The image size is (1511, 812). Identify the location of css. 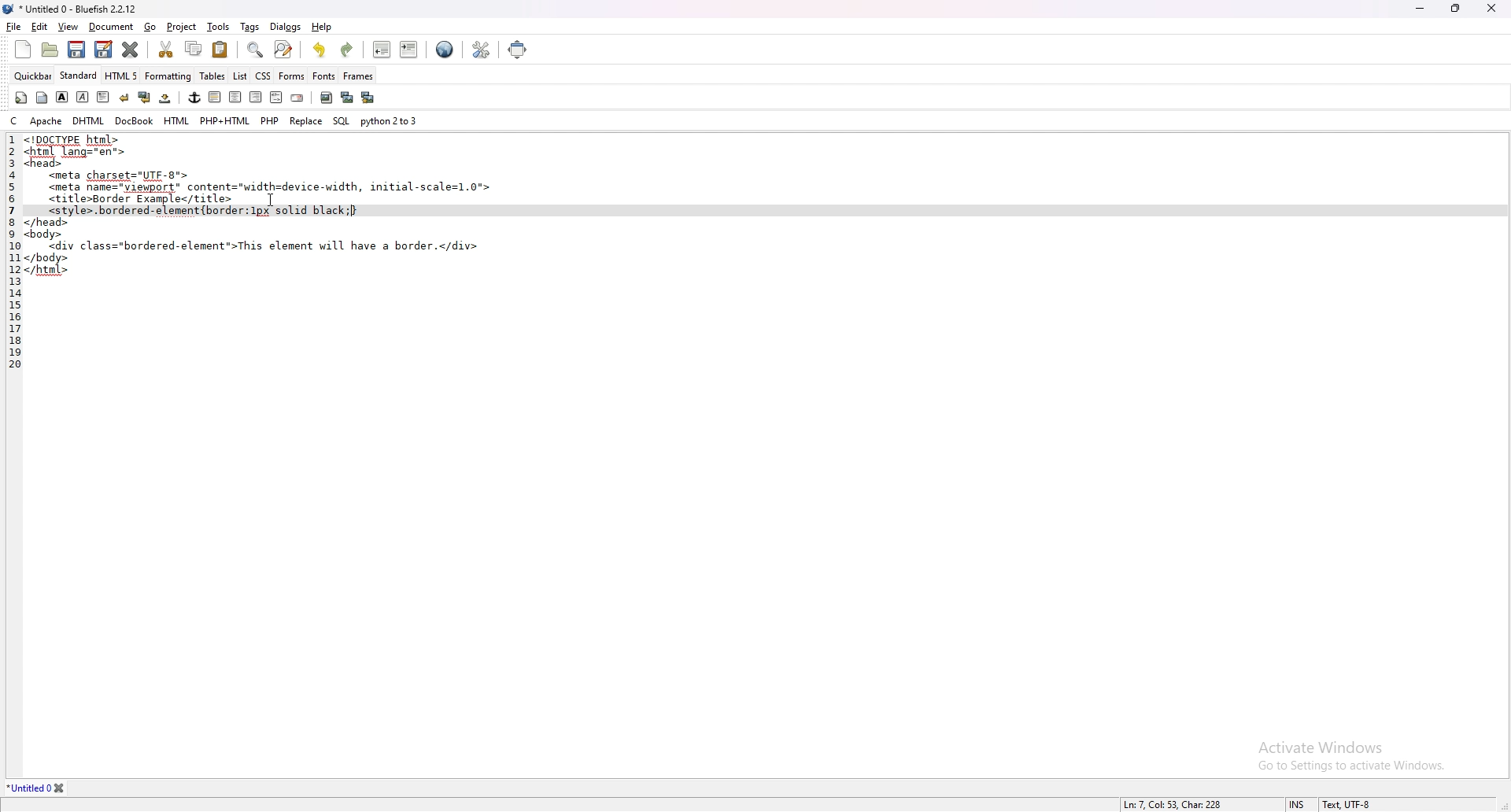
(264, 76).